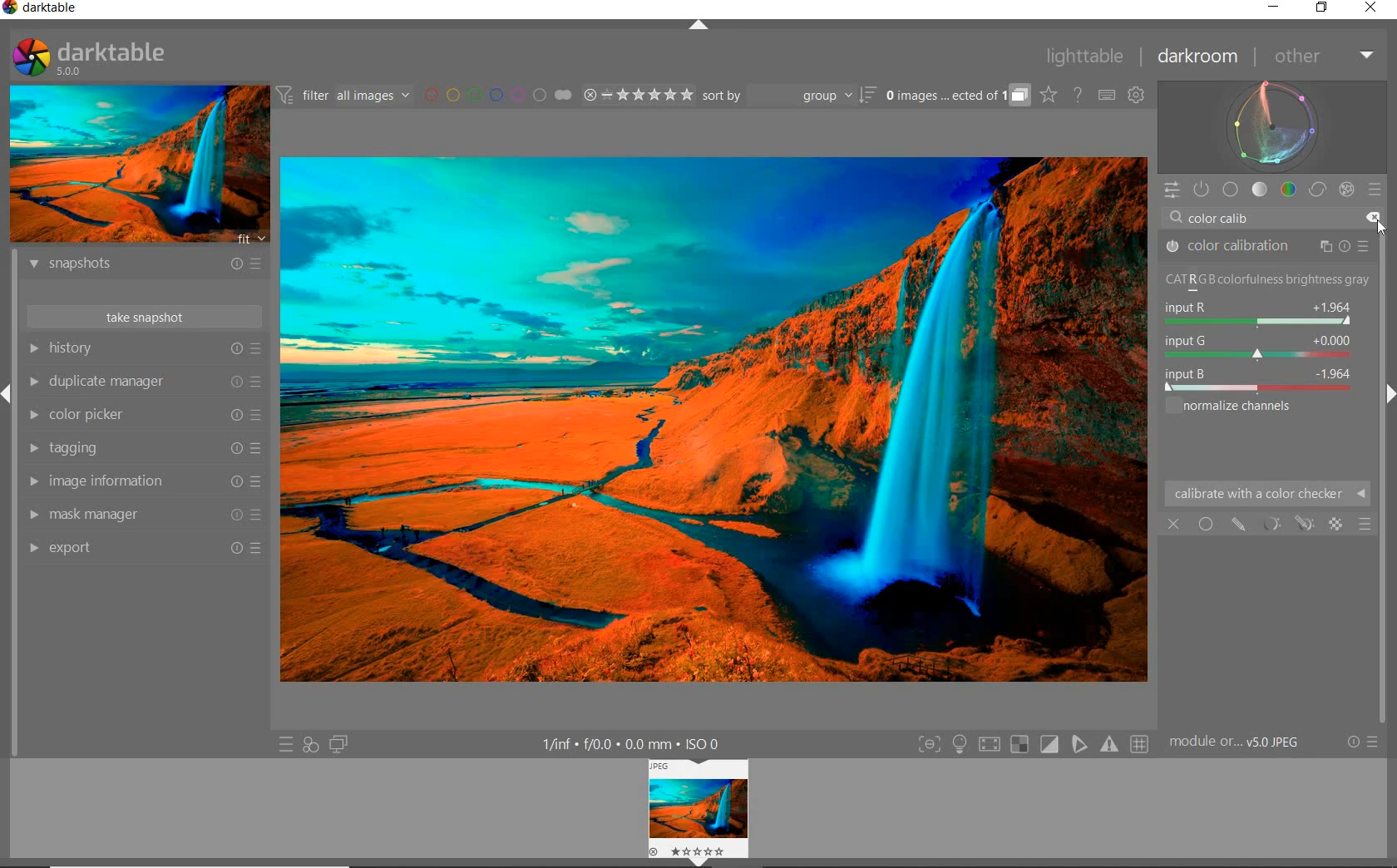 The height and width of the screenshot is (868, 1397). What do you see at coordinates (1232, 189) in the screenshot?
I see `base` at bounding box center [1232, 189].